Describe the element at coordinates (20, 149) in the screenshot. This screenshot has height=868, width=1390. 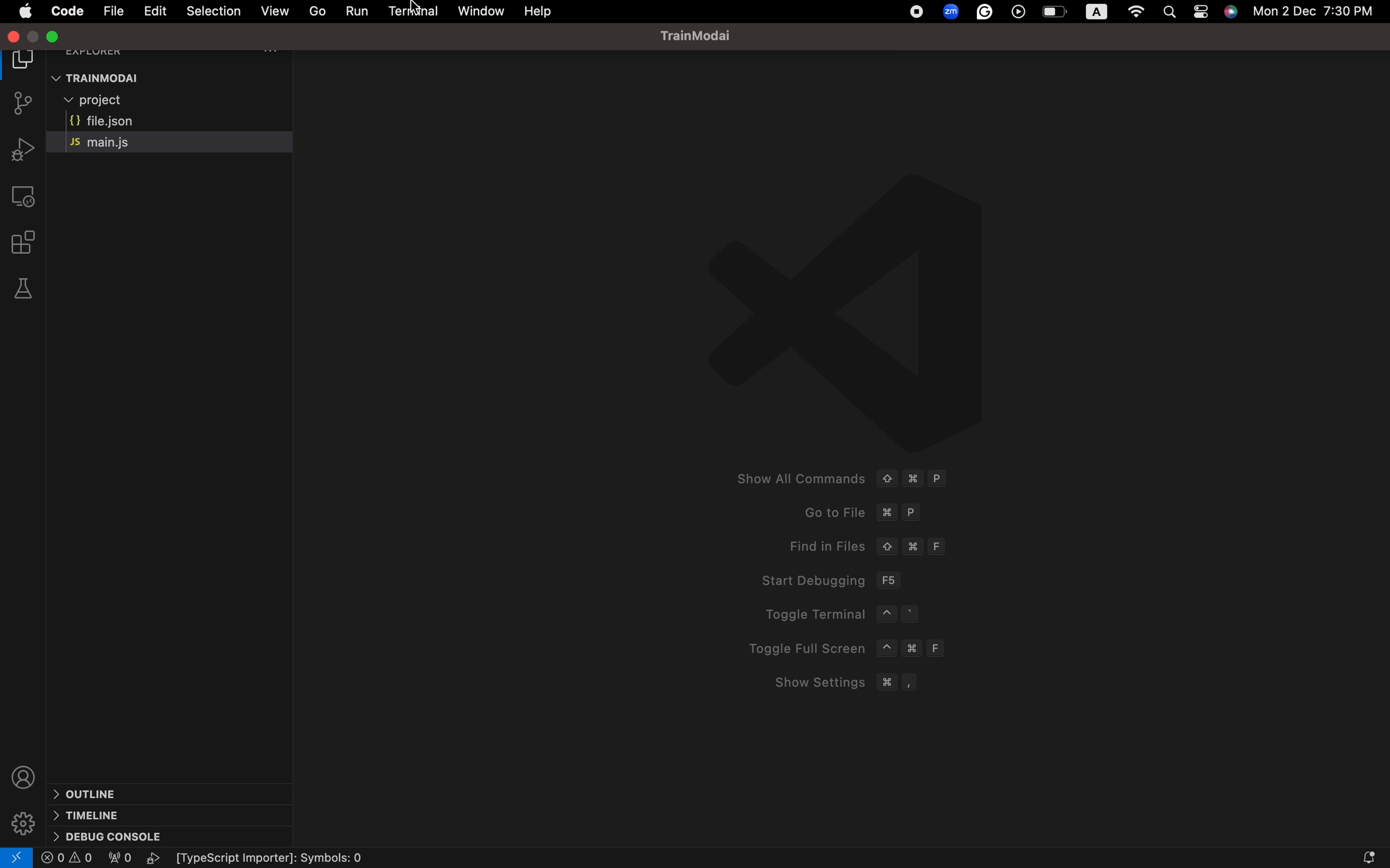
I see `run debug` at that location.